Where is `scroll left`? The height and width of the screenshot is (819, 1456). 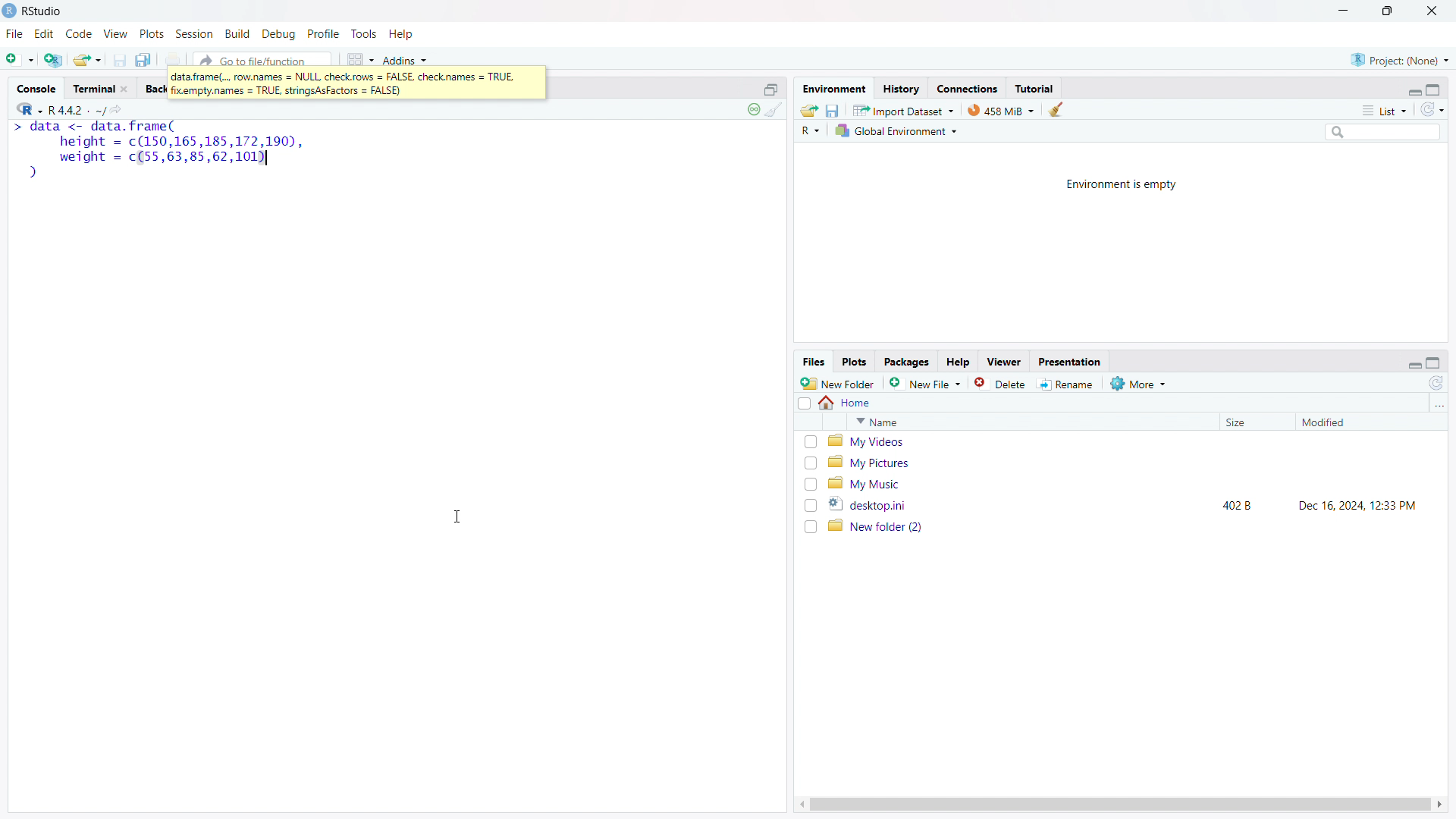 scroll left is located at coordinates (799, 805).